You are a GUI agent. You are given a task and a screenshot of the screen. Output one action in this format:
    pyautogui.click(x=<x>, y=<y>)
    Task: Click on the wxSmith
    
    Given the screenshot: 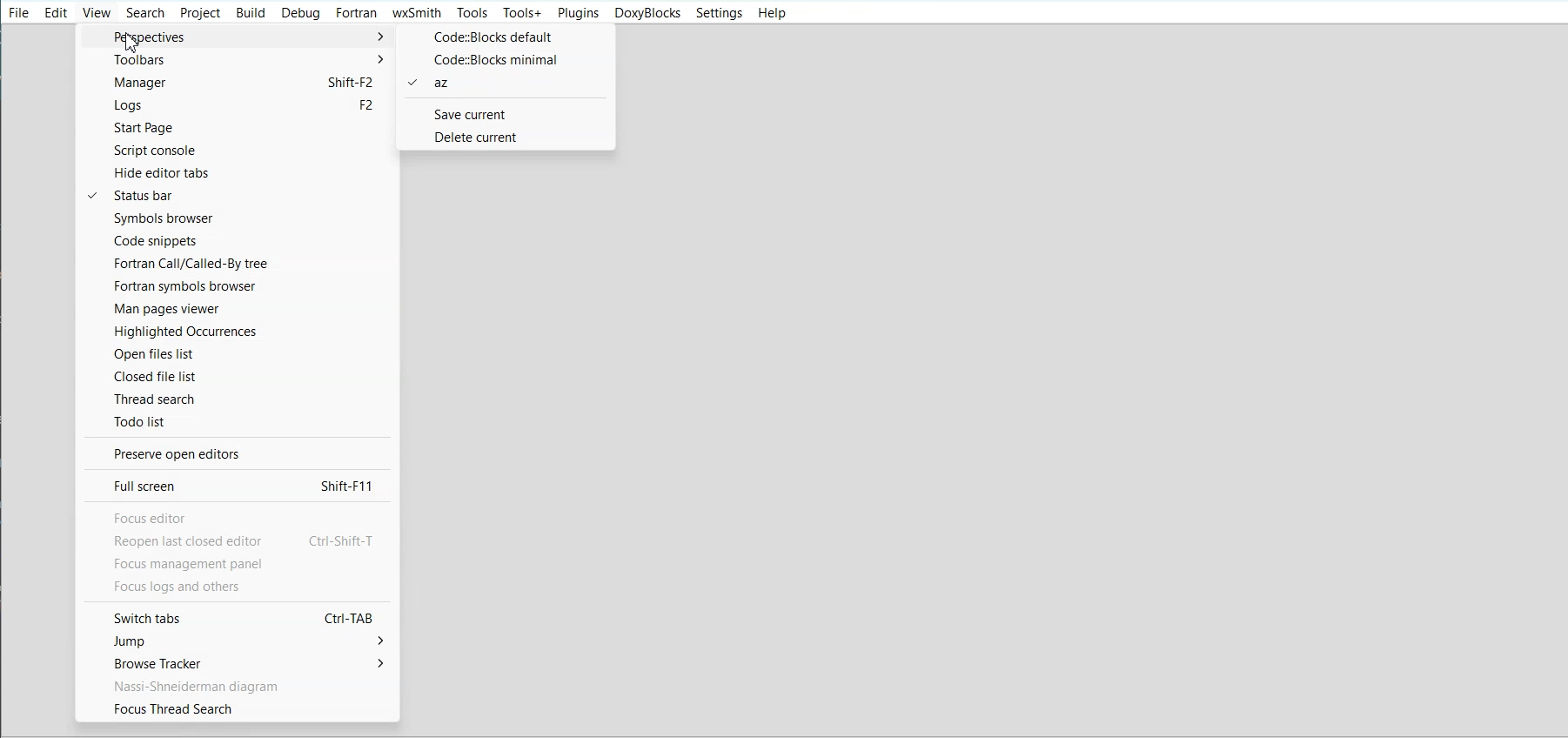 What is the action you would take?
    pyautogui.click(x=417, y=13)
    